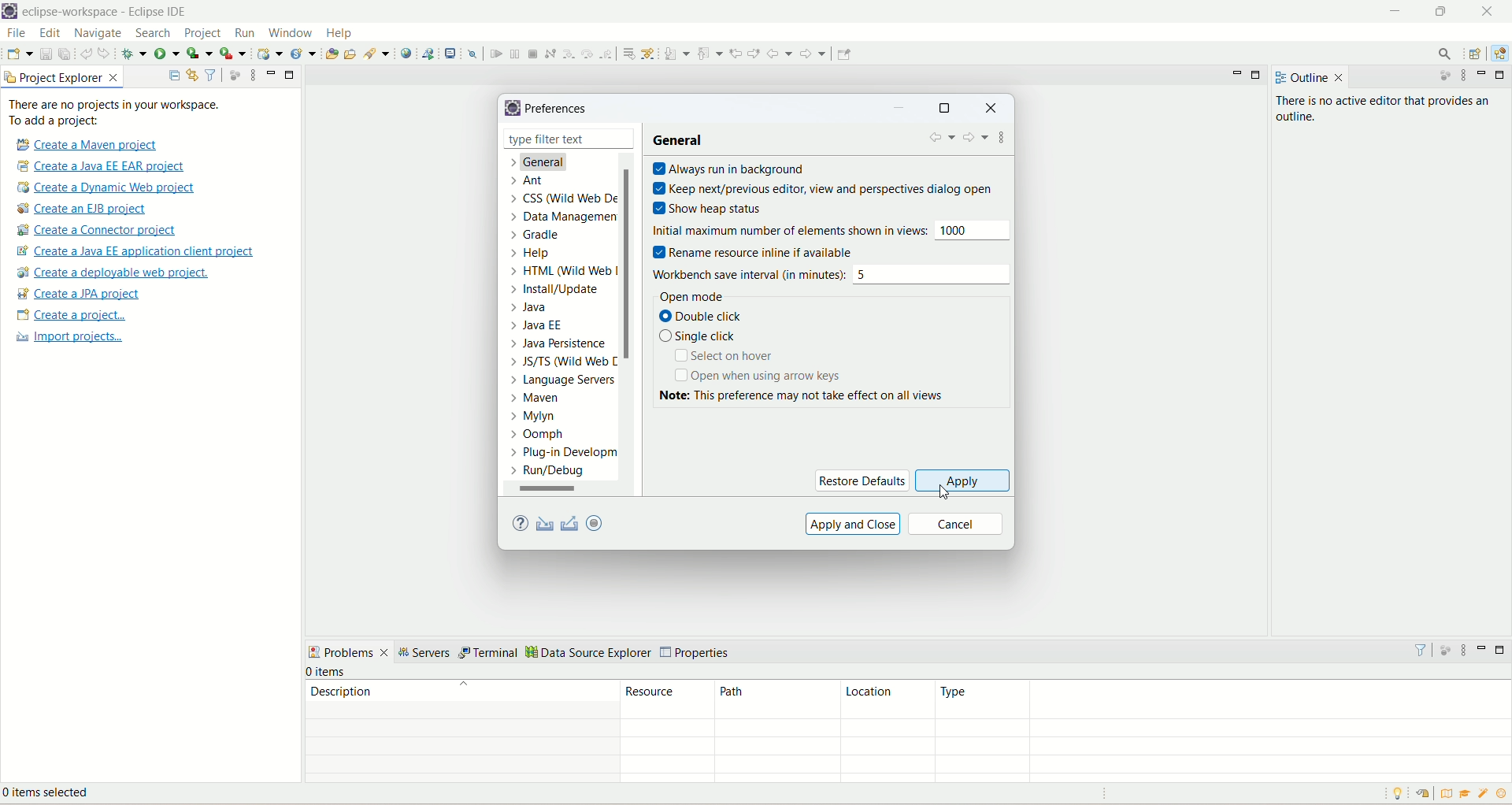  Describe the element at coordinates (1237, 77) in the screenshot. I see `minimize` at that location.